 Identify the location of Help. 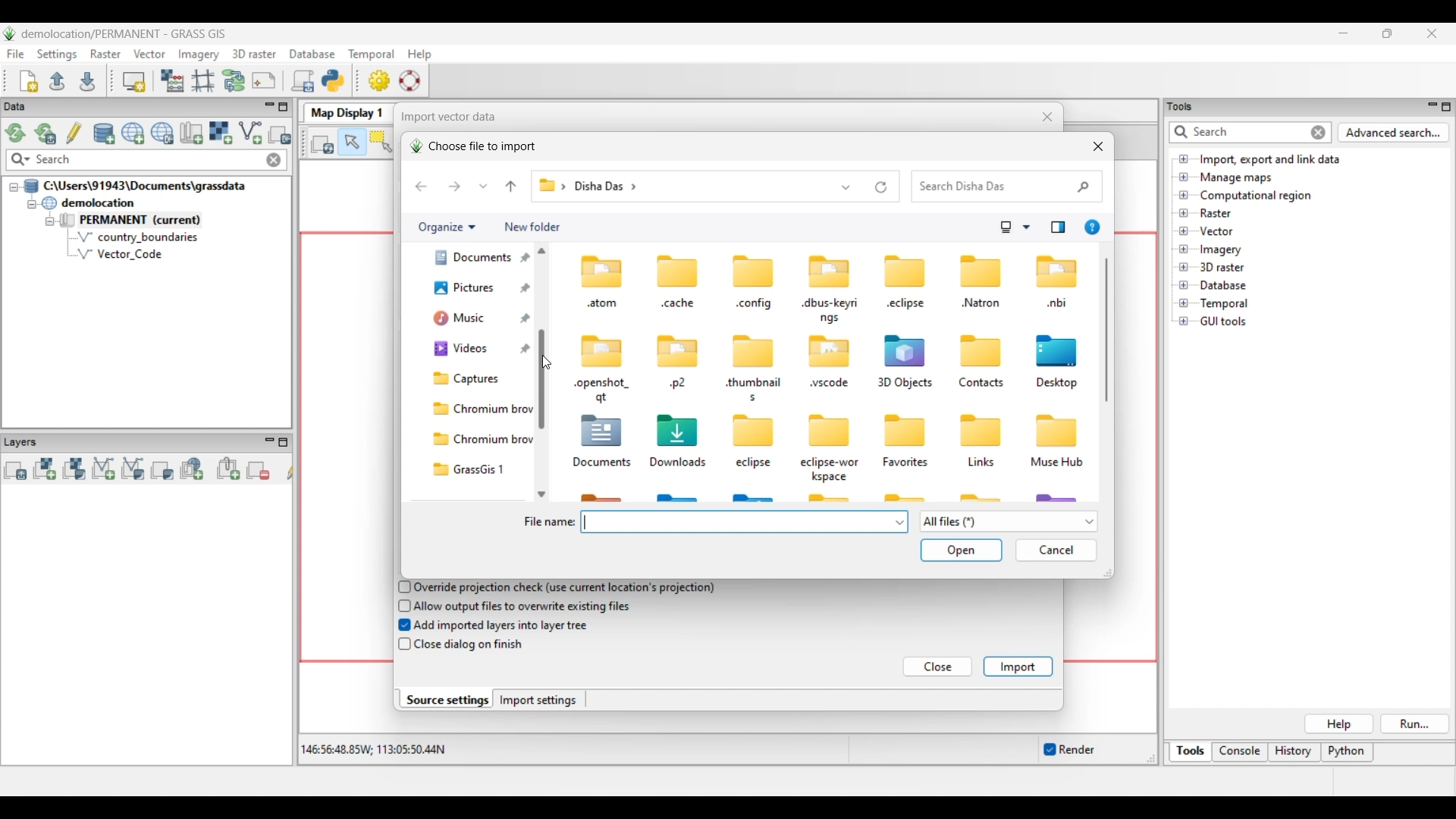
(1338, 724).